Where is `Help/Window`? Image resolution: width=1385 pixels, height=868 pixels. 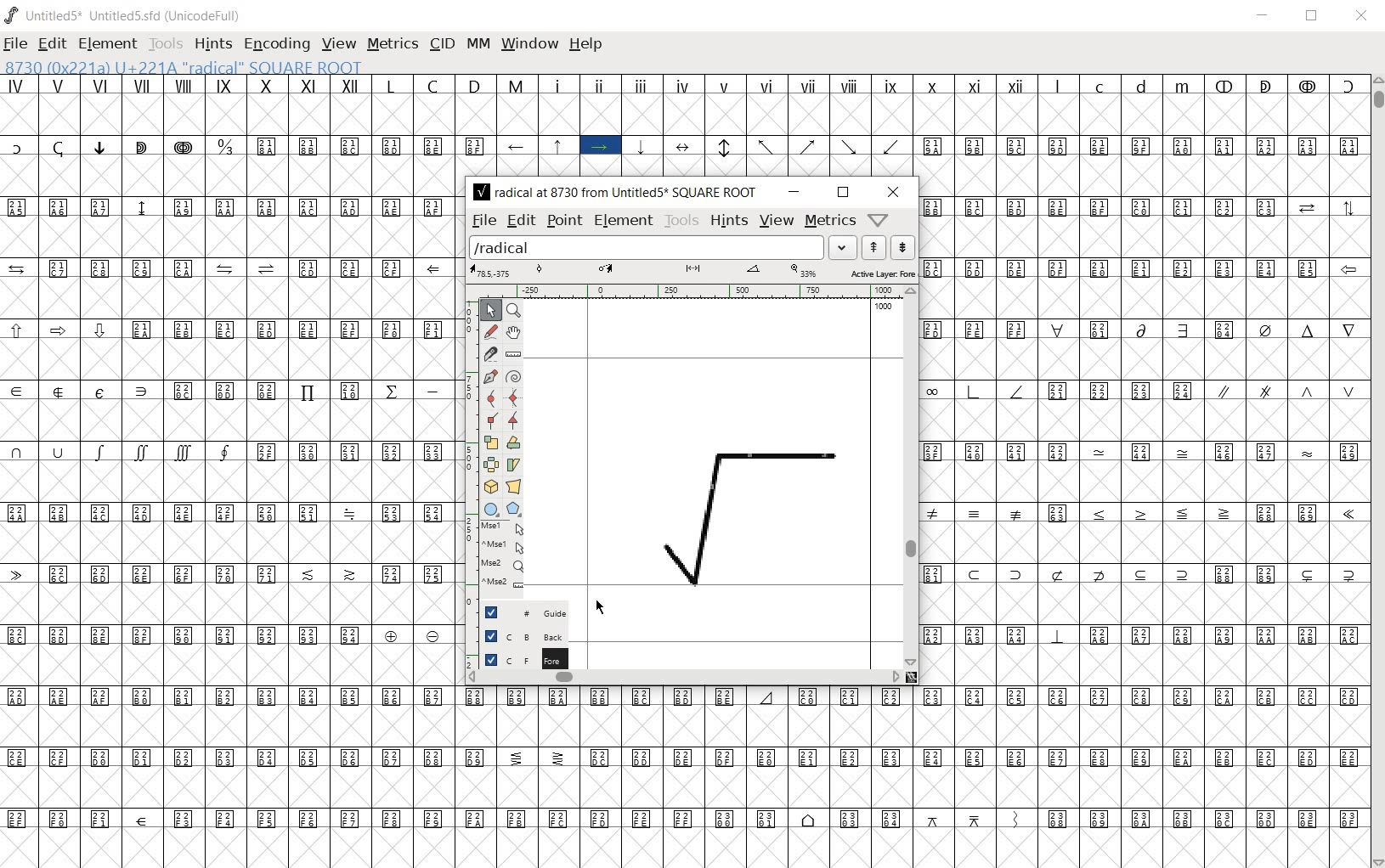 Help/Window is located at coordinates (879, 222).